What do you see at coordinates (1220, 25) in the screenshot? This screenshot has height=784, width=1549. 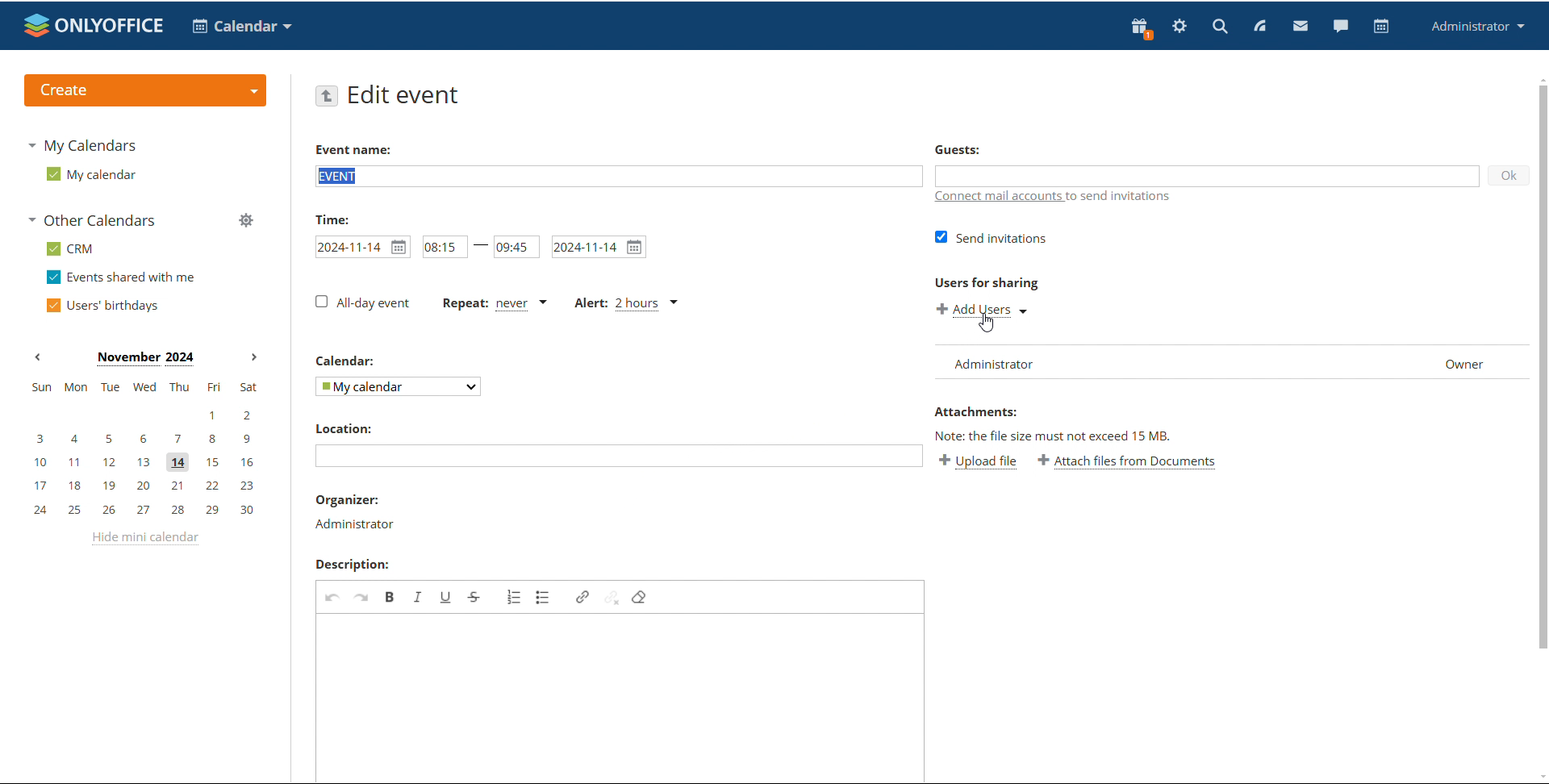 I see `search` at bounding box center [1220, 25].